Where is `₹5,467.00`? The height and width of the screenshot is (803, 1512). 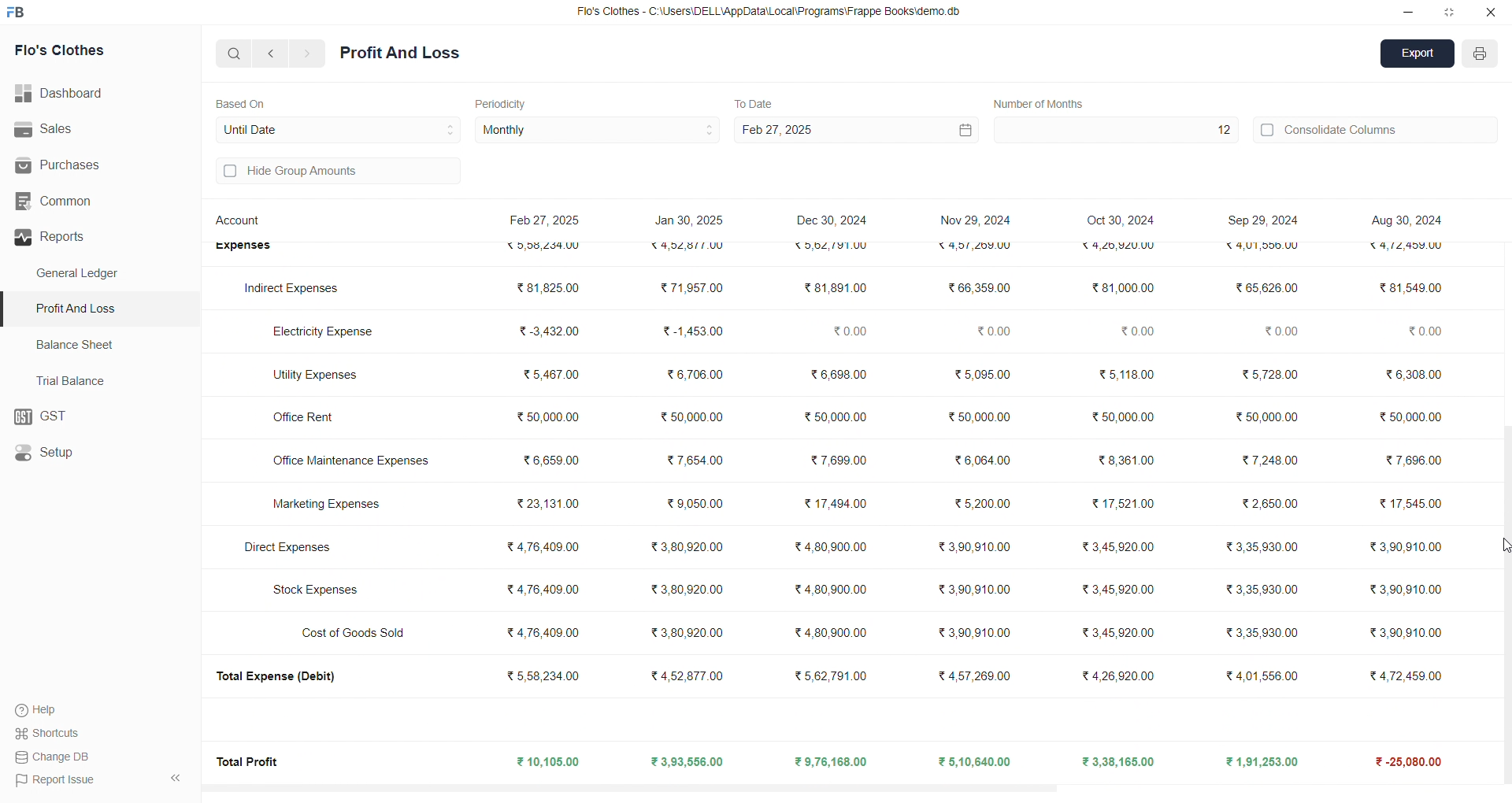 ₹5,467.00 is located at coordinates (550, 377).